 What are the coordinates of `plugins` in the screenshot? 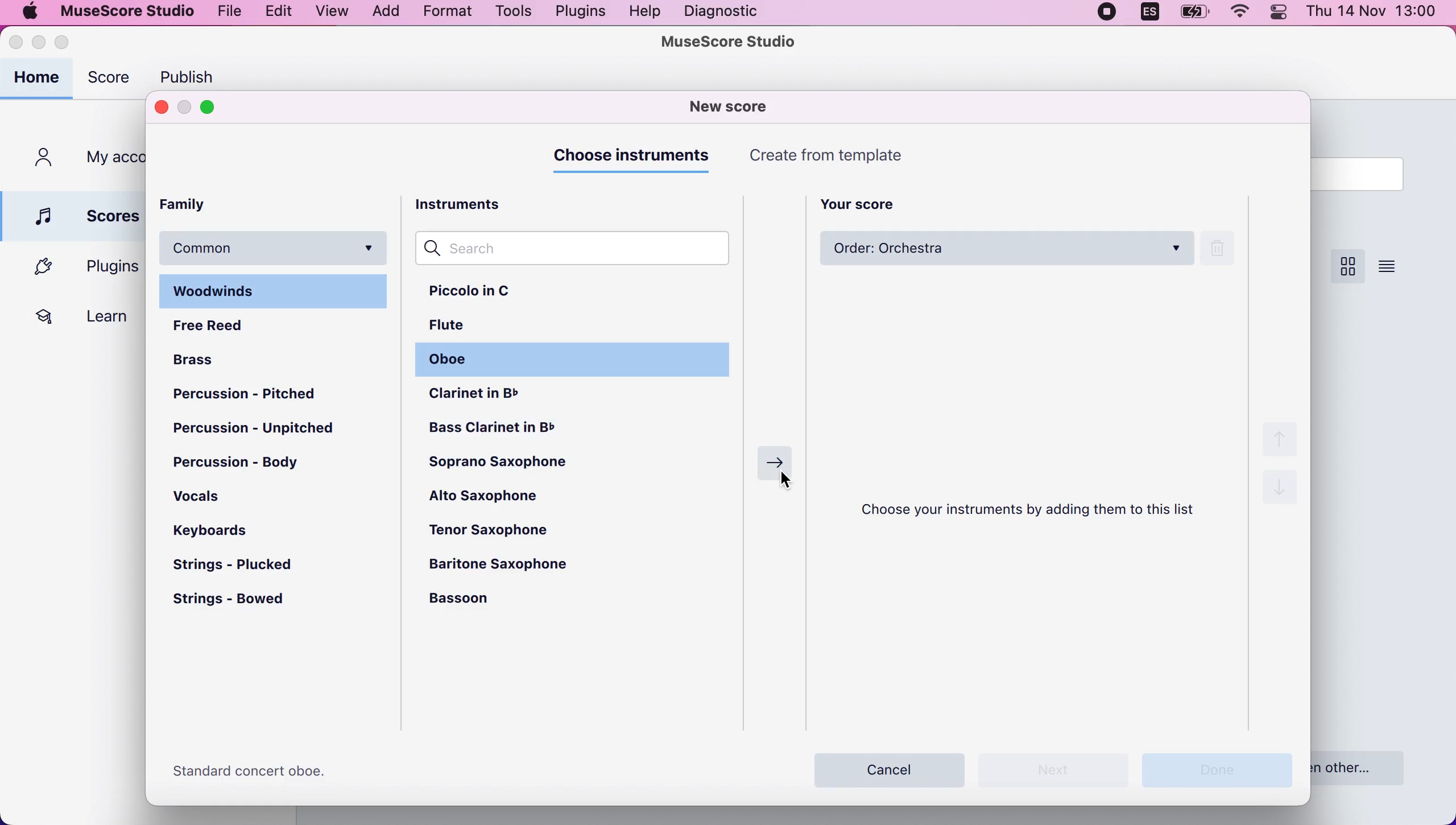 It's located at (78, 267).